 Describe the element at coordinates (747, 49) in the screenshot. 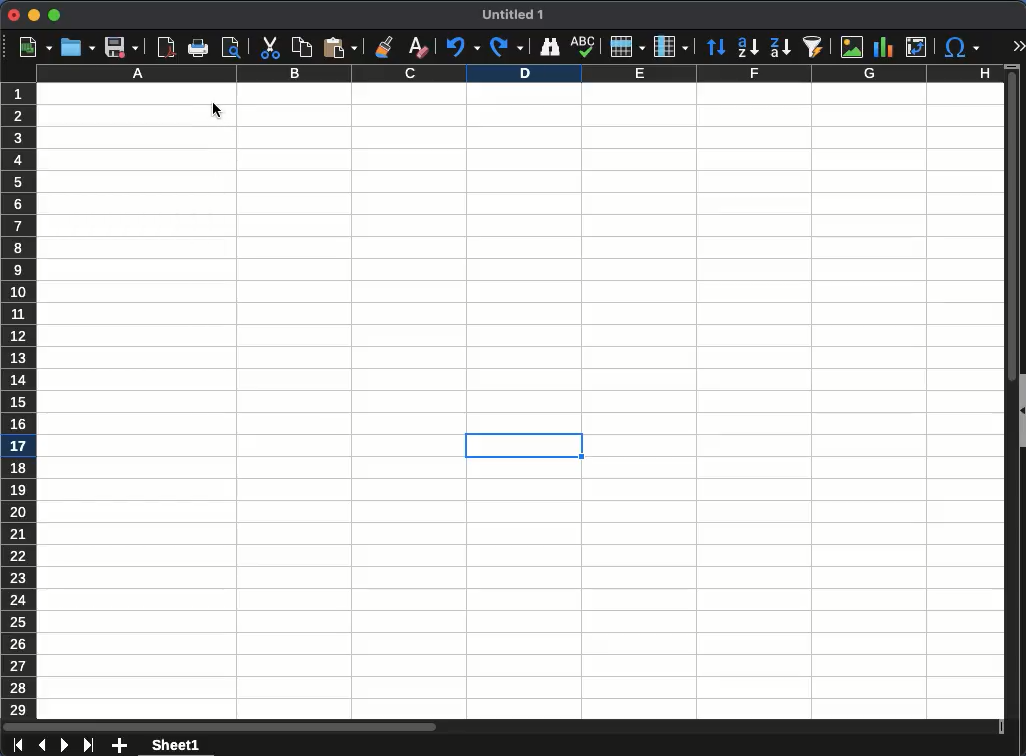

I see `ascending` at that location.